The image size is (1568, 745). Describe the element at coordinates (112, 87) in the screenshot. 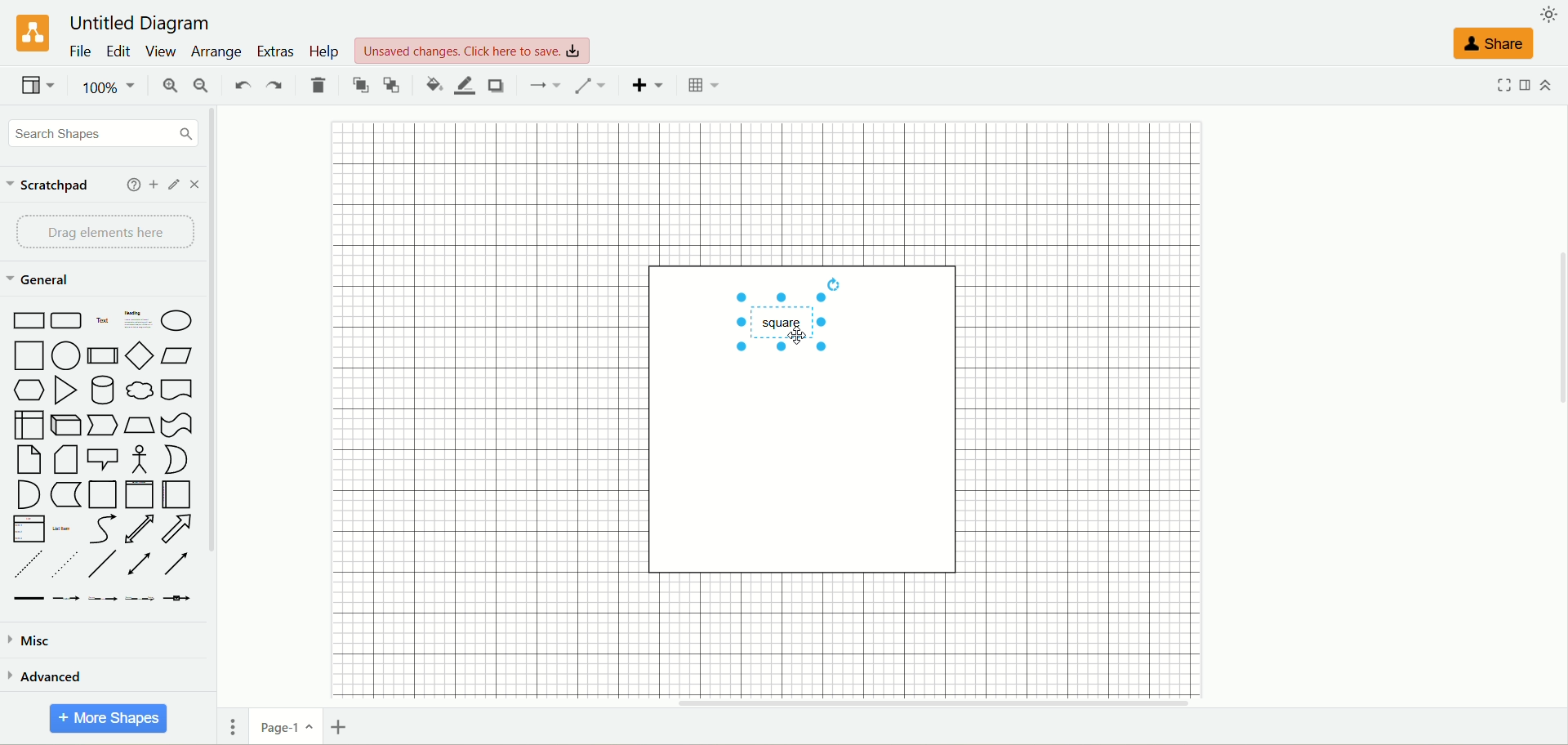

I see `zoom factor` at that location.